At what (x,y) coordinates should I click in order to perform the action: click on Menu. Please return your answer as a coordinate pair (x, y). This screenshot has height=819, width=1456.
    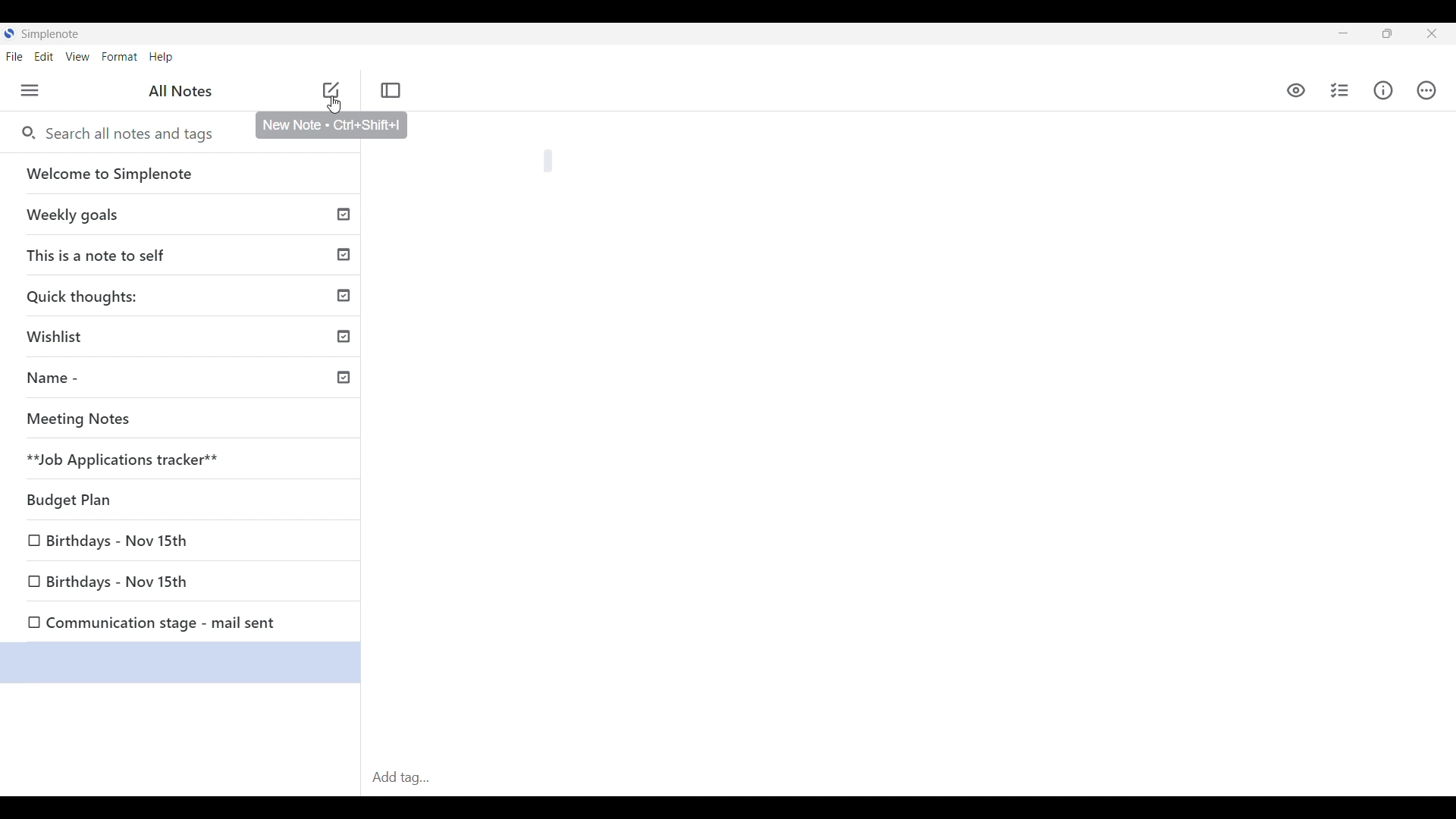
    Looking at the image, I should click on (30, 90).